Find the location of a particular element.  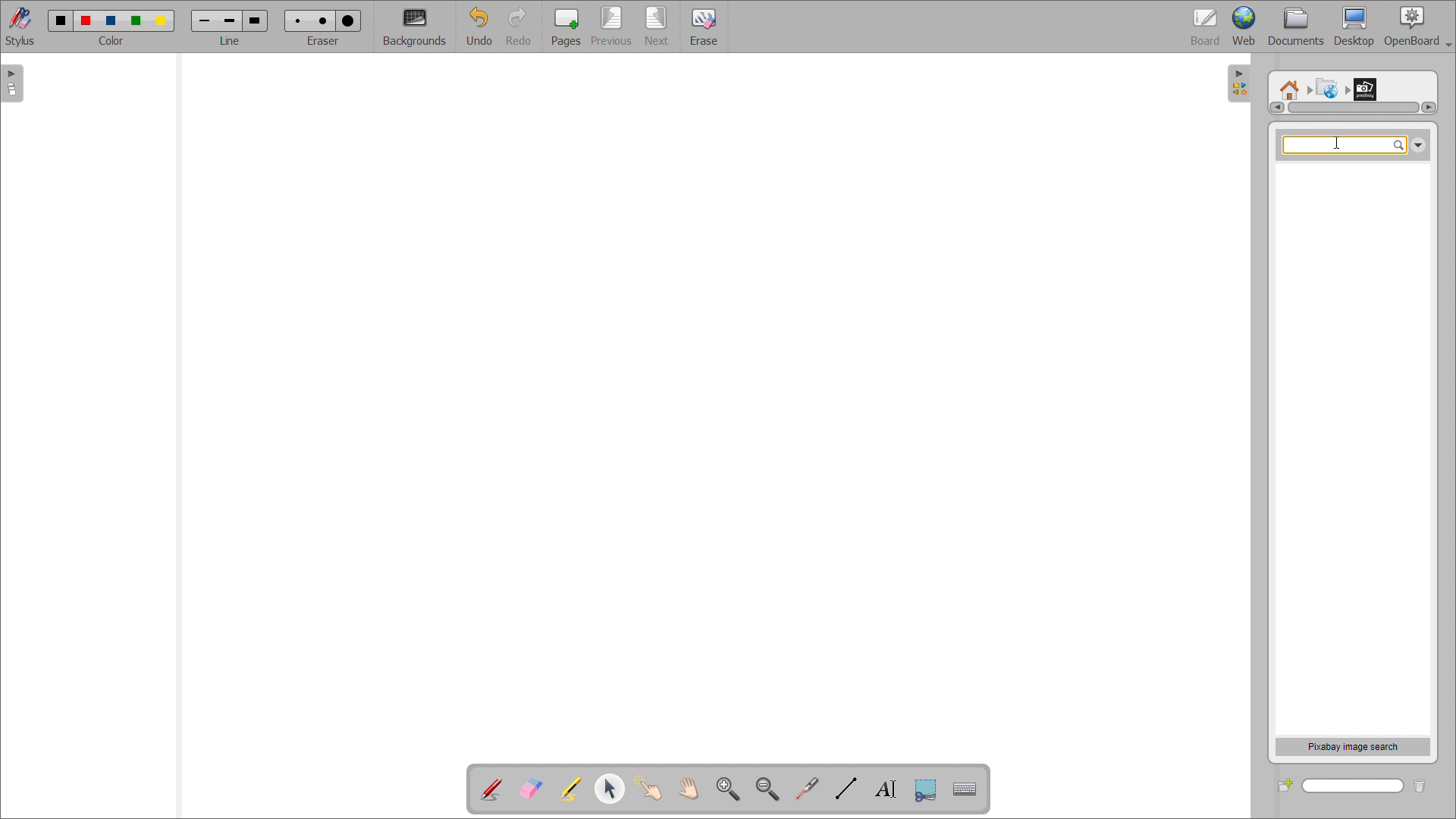

openboard settings is located at coordinates (1417, 27).